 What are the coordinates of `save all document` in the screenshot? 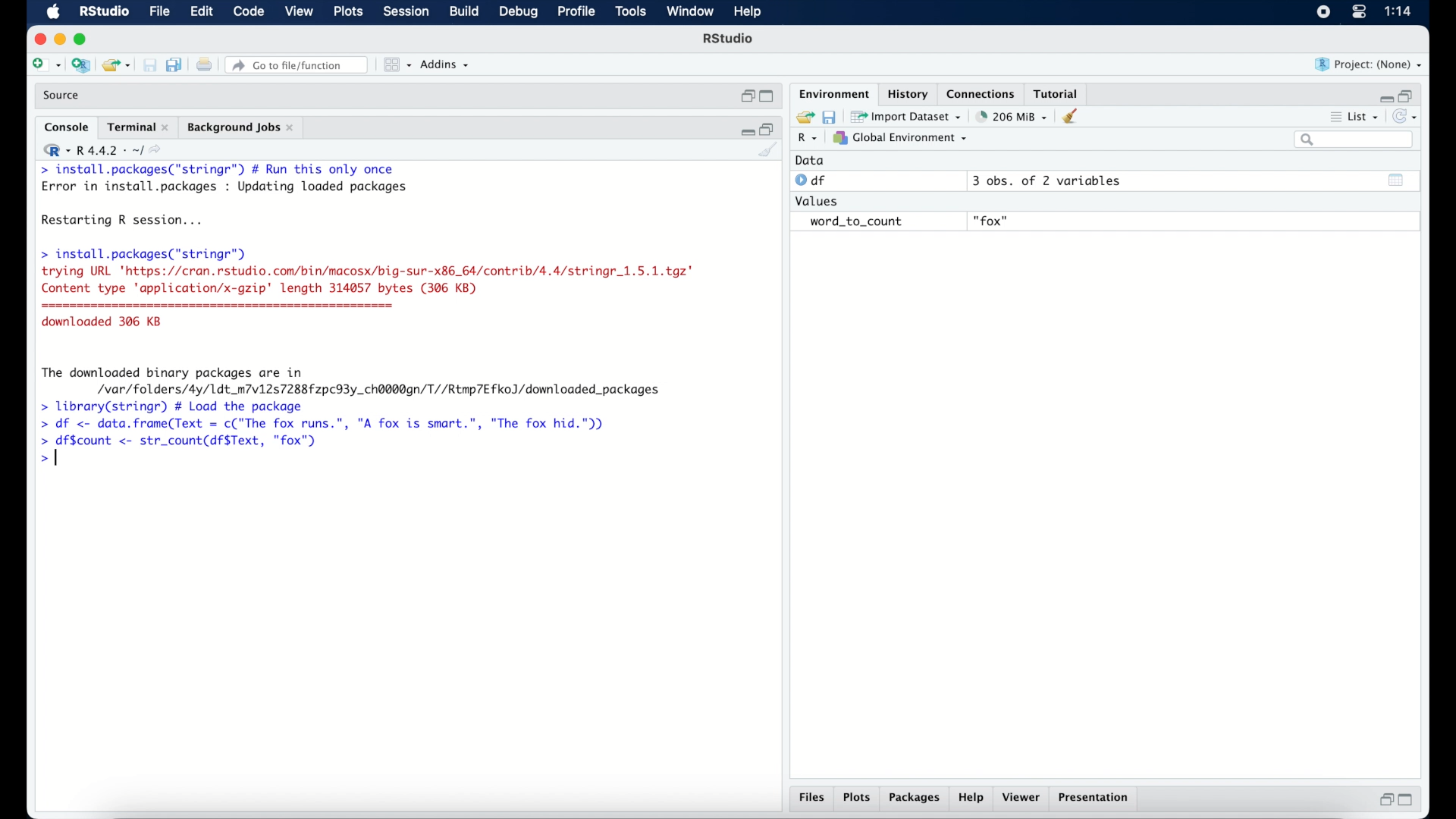 It's located at (177, 66).